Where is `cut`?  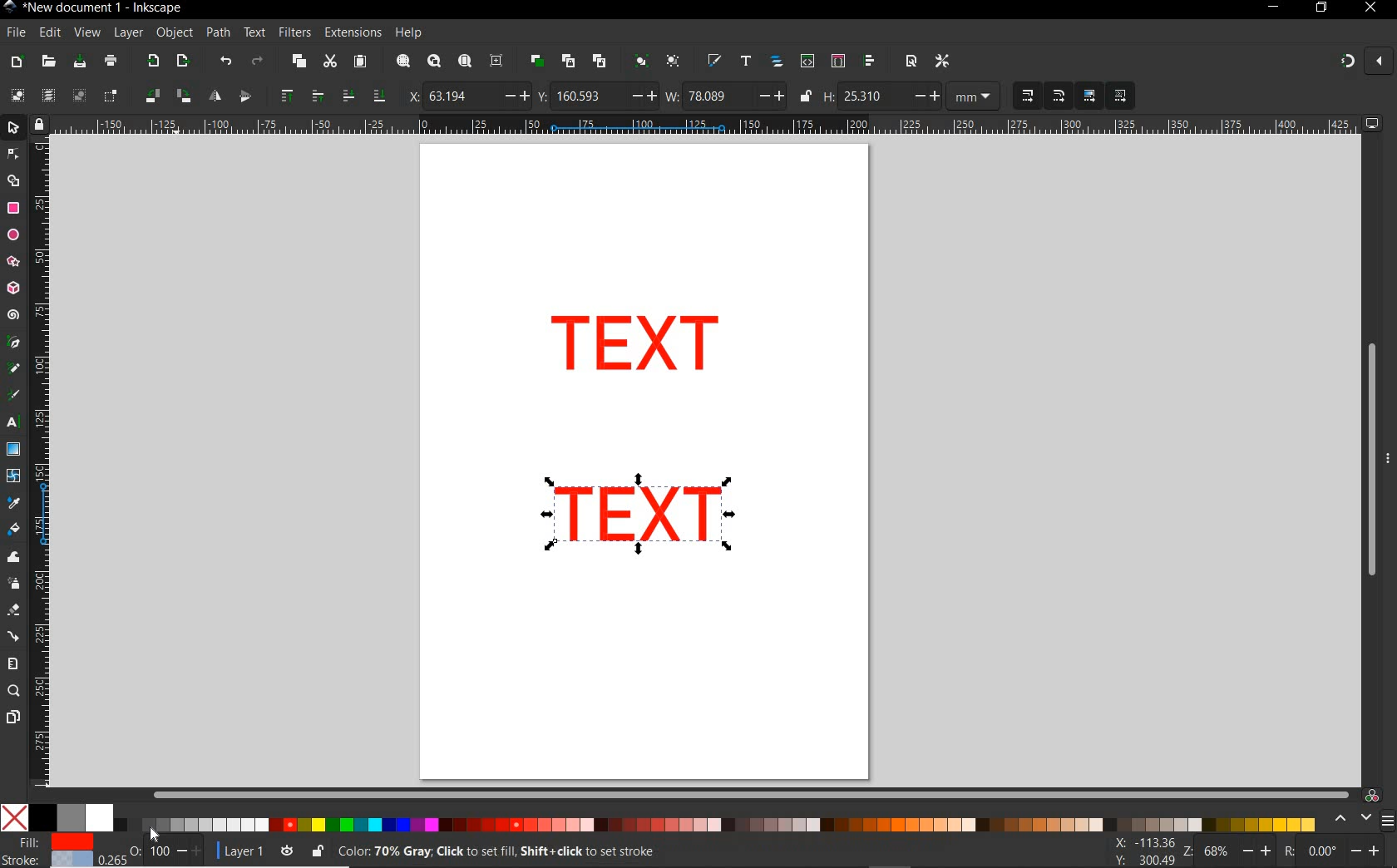
cut is located at coordinates (329, 62).